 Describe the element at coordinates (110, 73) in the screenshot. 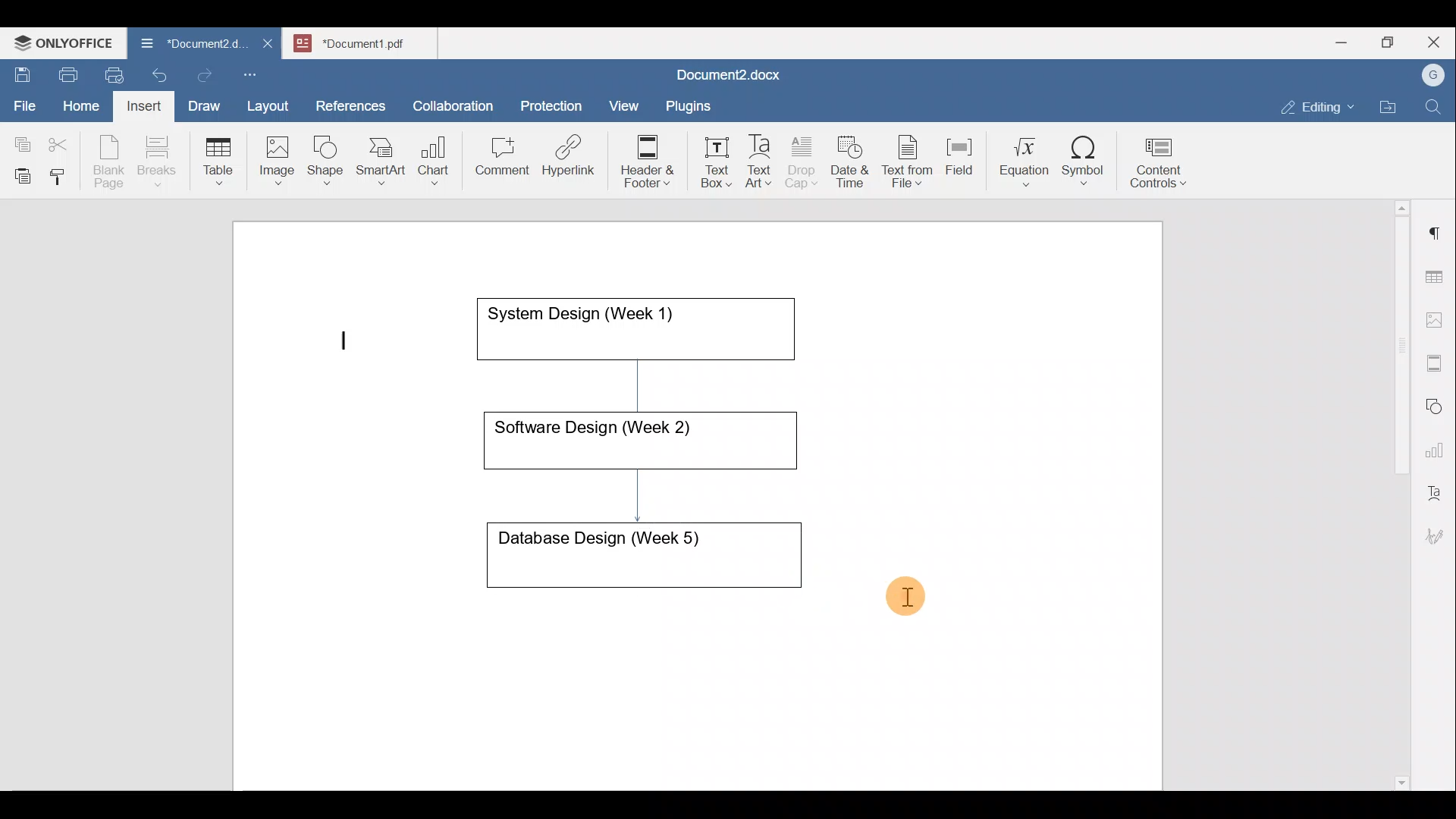

I see `Quick print` at that location.